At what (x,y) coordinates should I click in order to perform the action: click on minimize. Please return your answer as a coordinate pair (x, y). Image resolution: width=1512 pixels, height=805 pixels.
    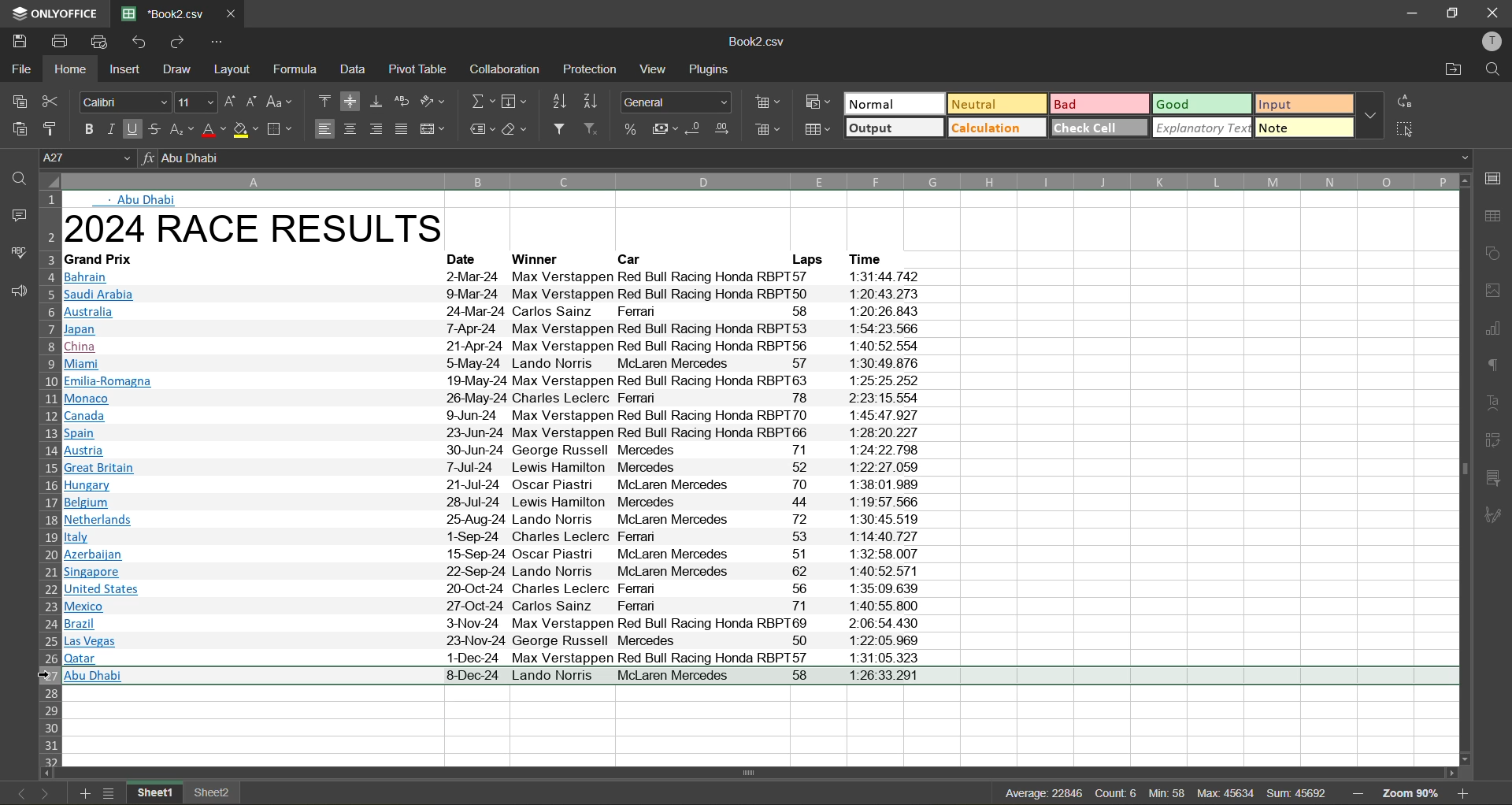
    Looking at the image, I should click on (1410, 12).